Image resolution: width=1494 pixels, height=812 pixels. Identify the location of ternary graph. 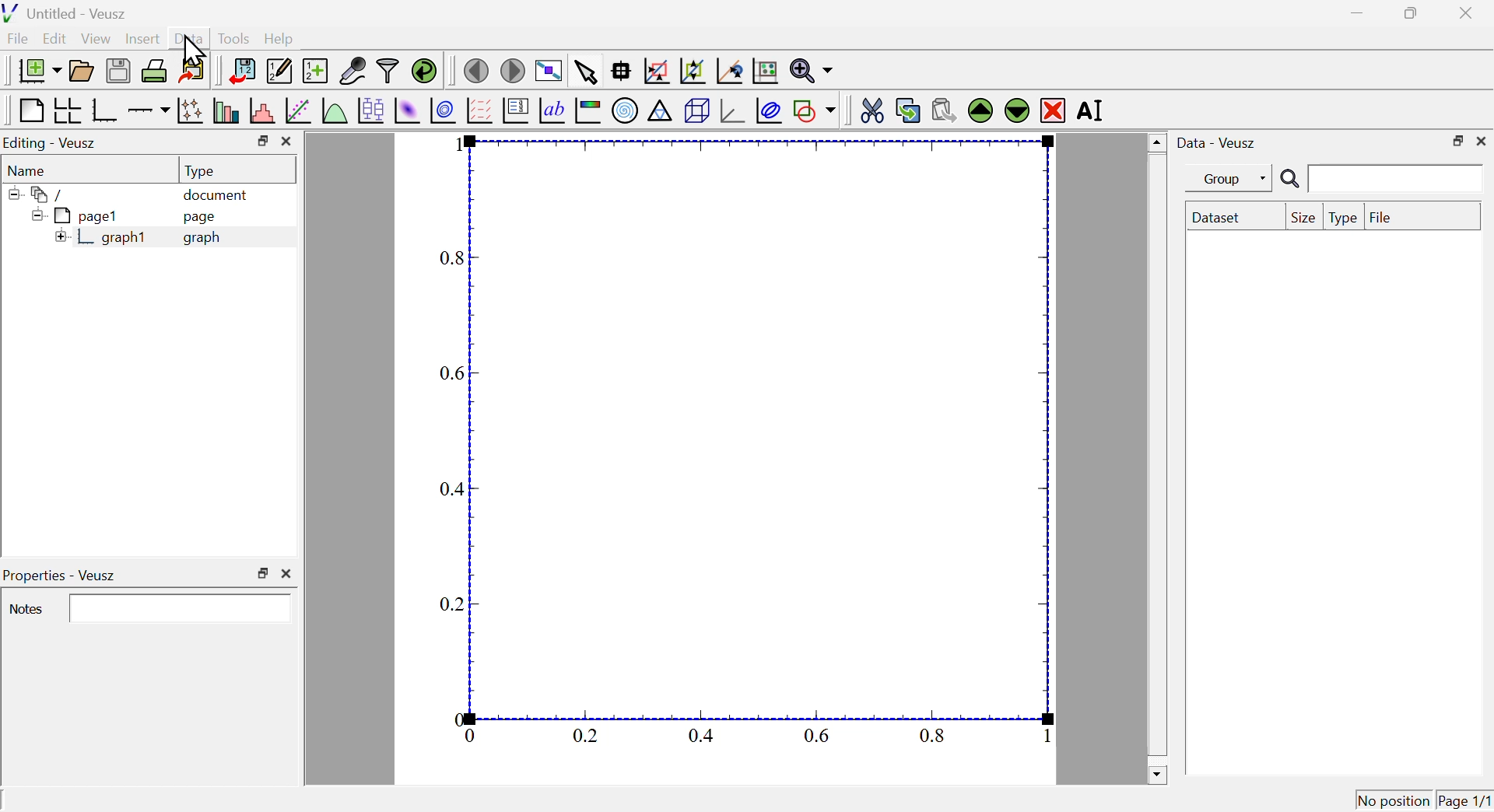
(661, 113).